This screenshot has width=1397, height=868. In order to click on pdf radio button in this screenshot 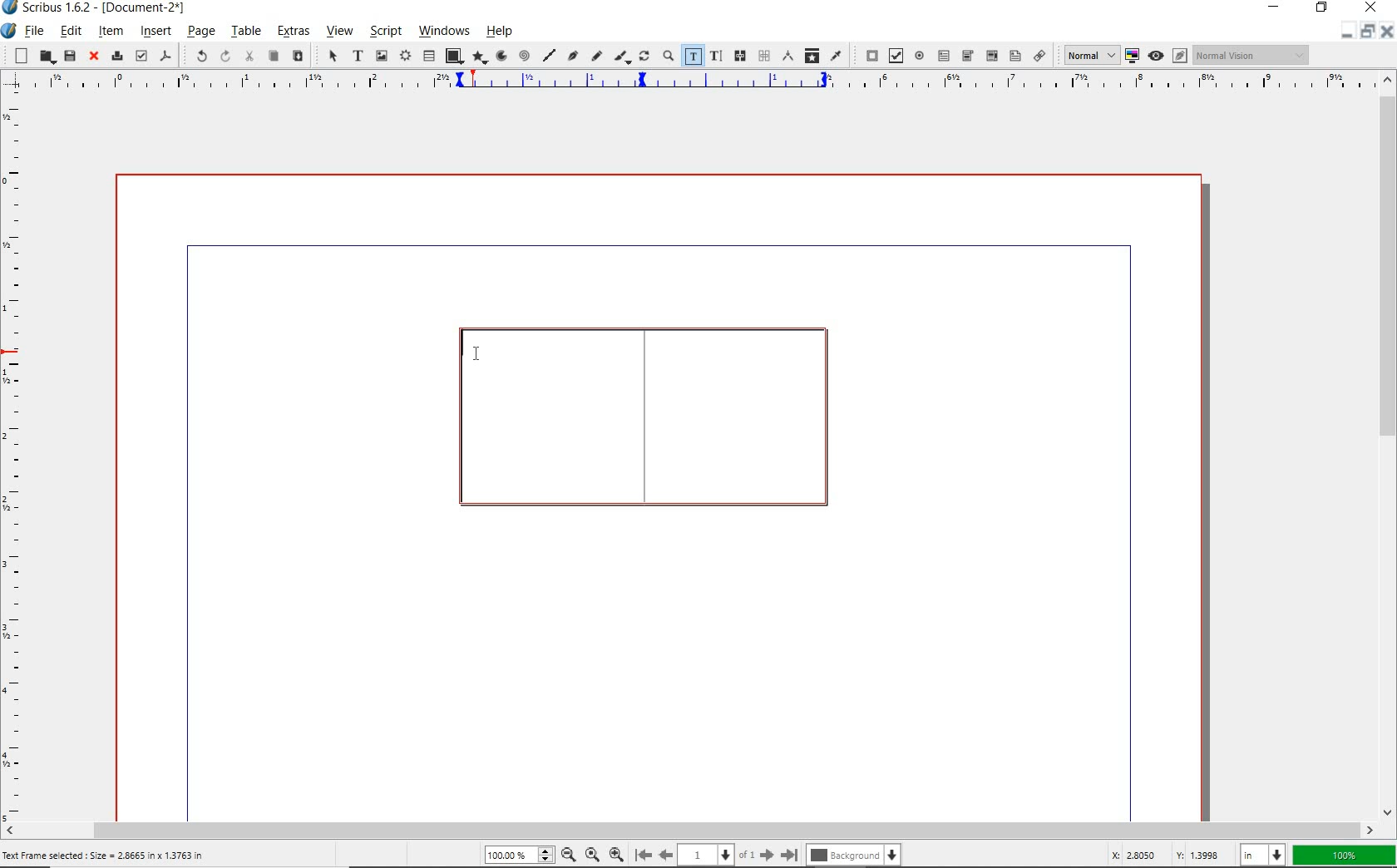, I will do `click(919, 56)`.